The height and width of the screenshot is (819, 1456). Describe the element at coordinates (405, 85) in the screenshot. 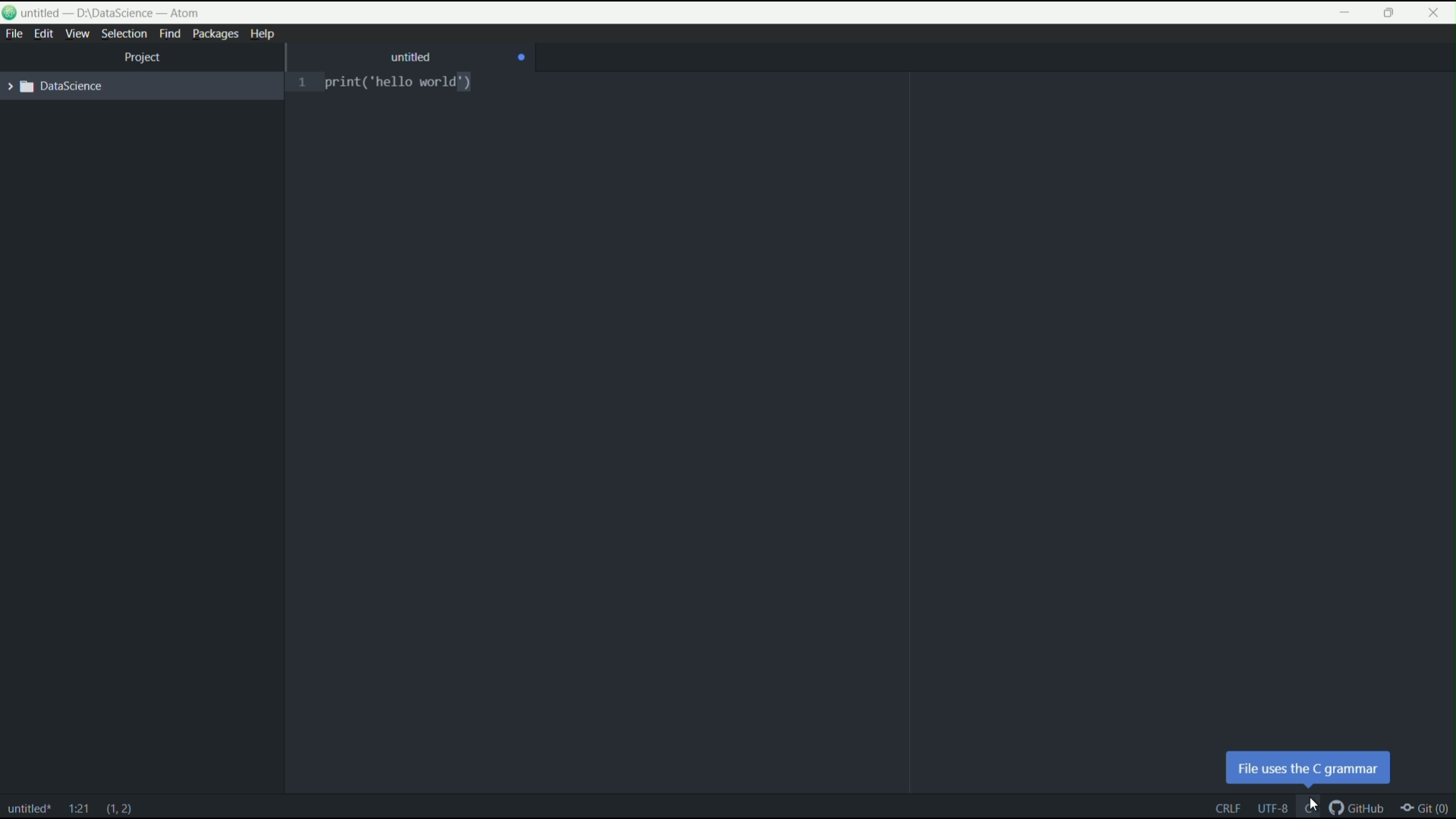

I see `print ("hello world")` at that location.